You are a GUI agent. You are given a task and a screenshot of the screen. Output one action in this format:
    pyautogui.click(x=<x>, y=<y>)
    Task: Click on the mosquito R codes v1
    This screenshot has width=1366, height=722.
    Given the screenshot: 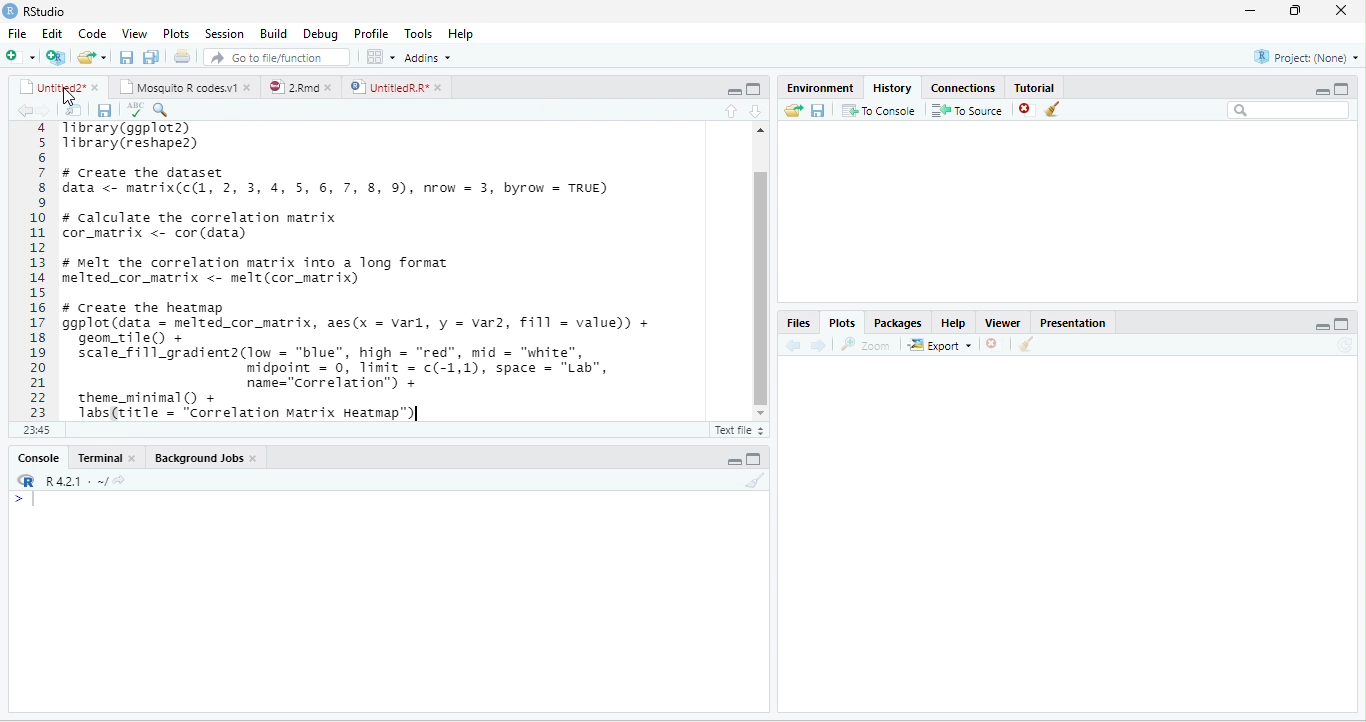 What is the action you would take?
    pyautogui.click(x=183, y=87)
    